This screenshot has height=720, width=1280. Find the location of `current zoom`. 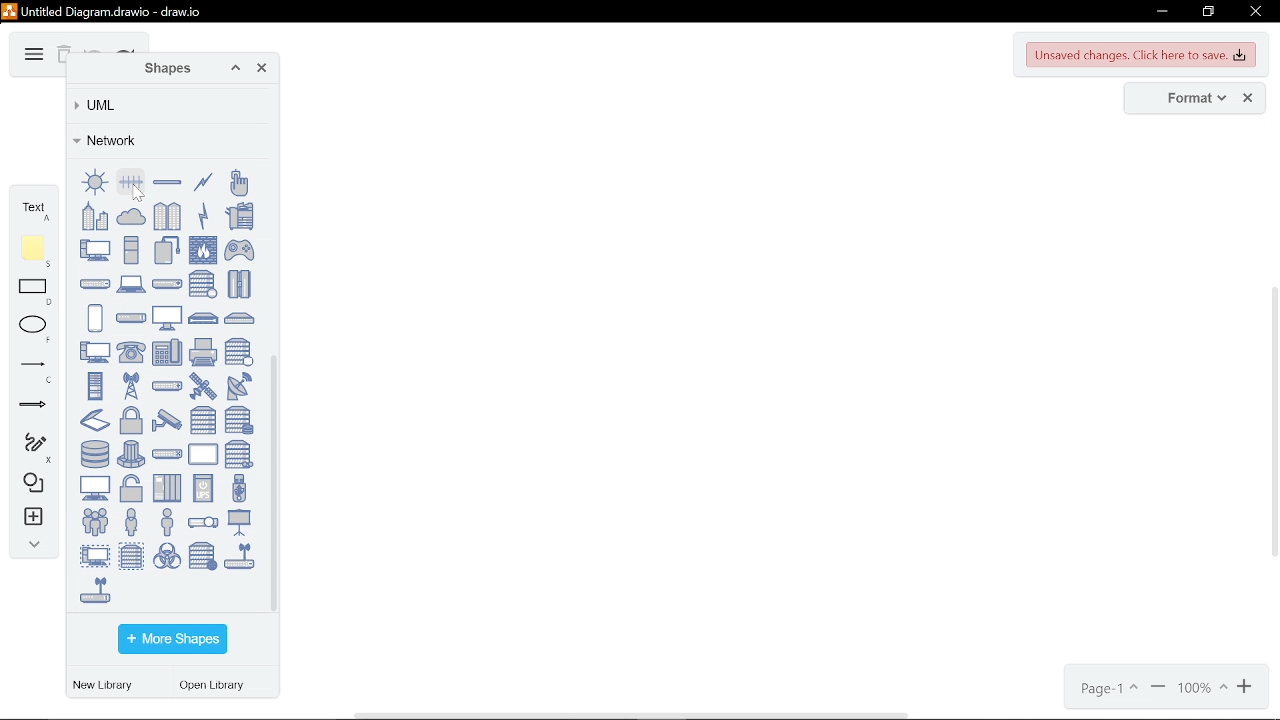

current zoom is located at coordinates (1203, 689).